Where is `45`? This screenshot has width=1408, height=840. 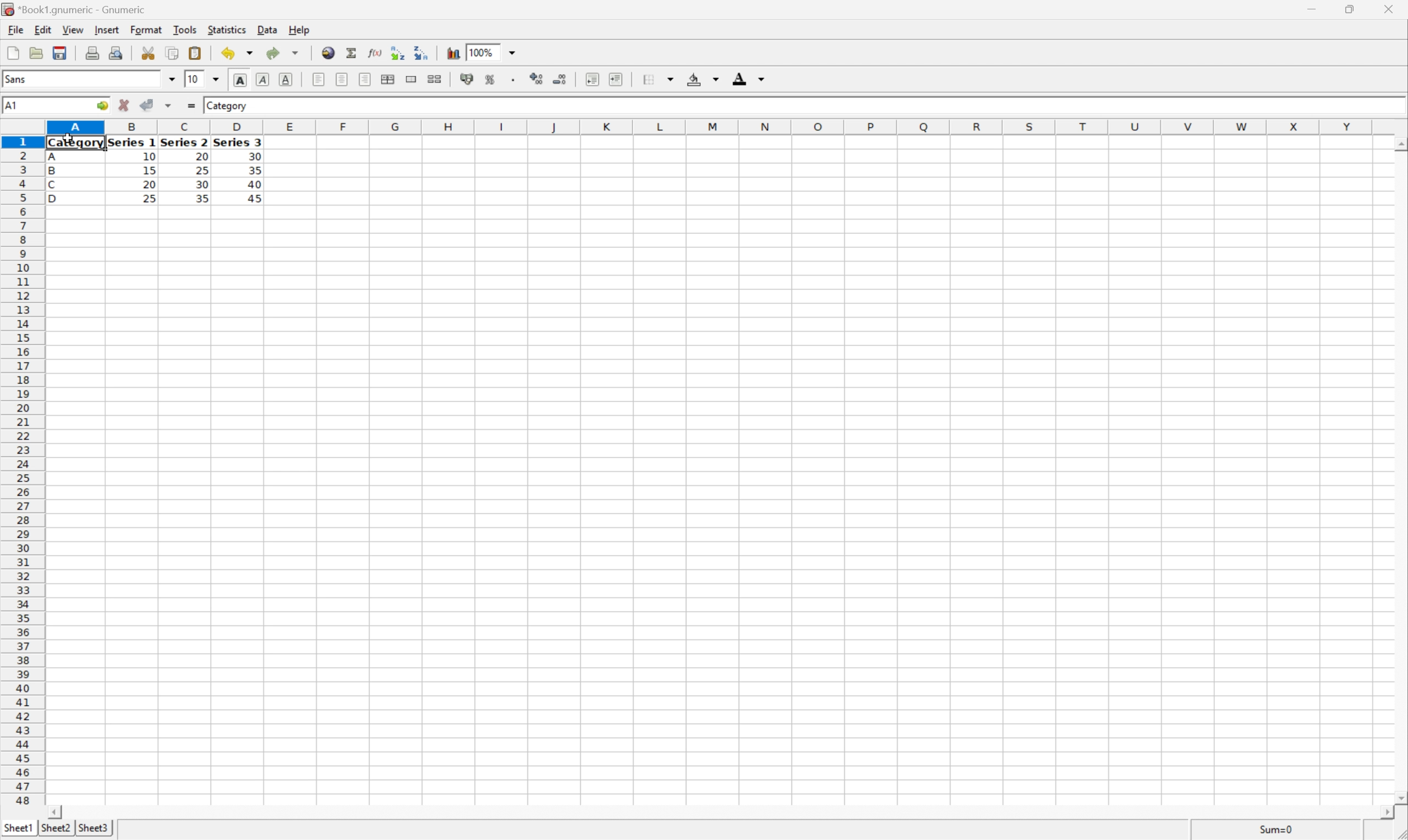
45 is located at coordinates (254, 198).